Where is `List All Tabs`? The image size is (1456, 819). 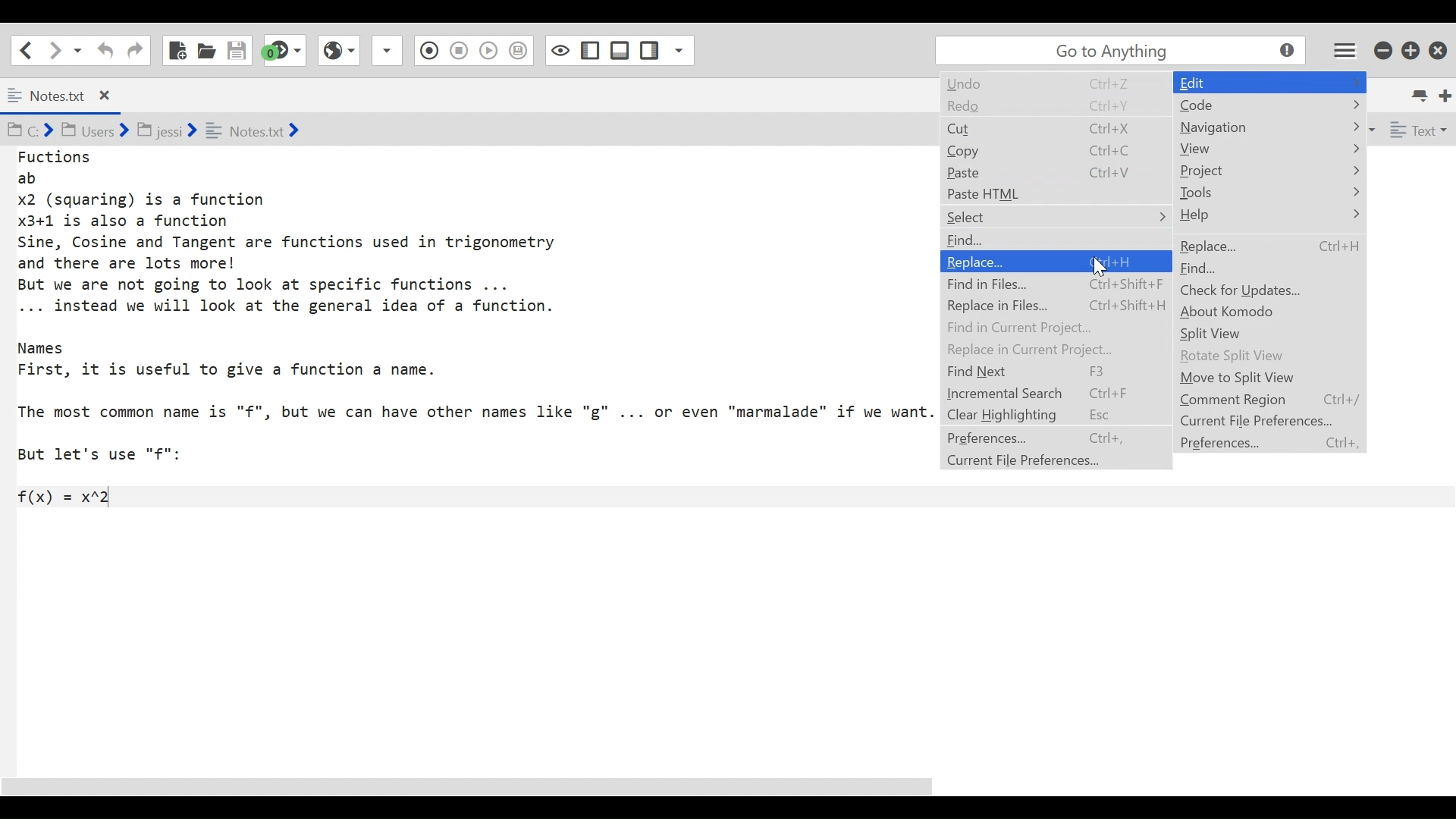
List All Tabs is located at coordinates (1421, 93).